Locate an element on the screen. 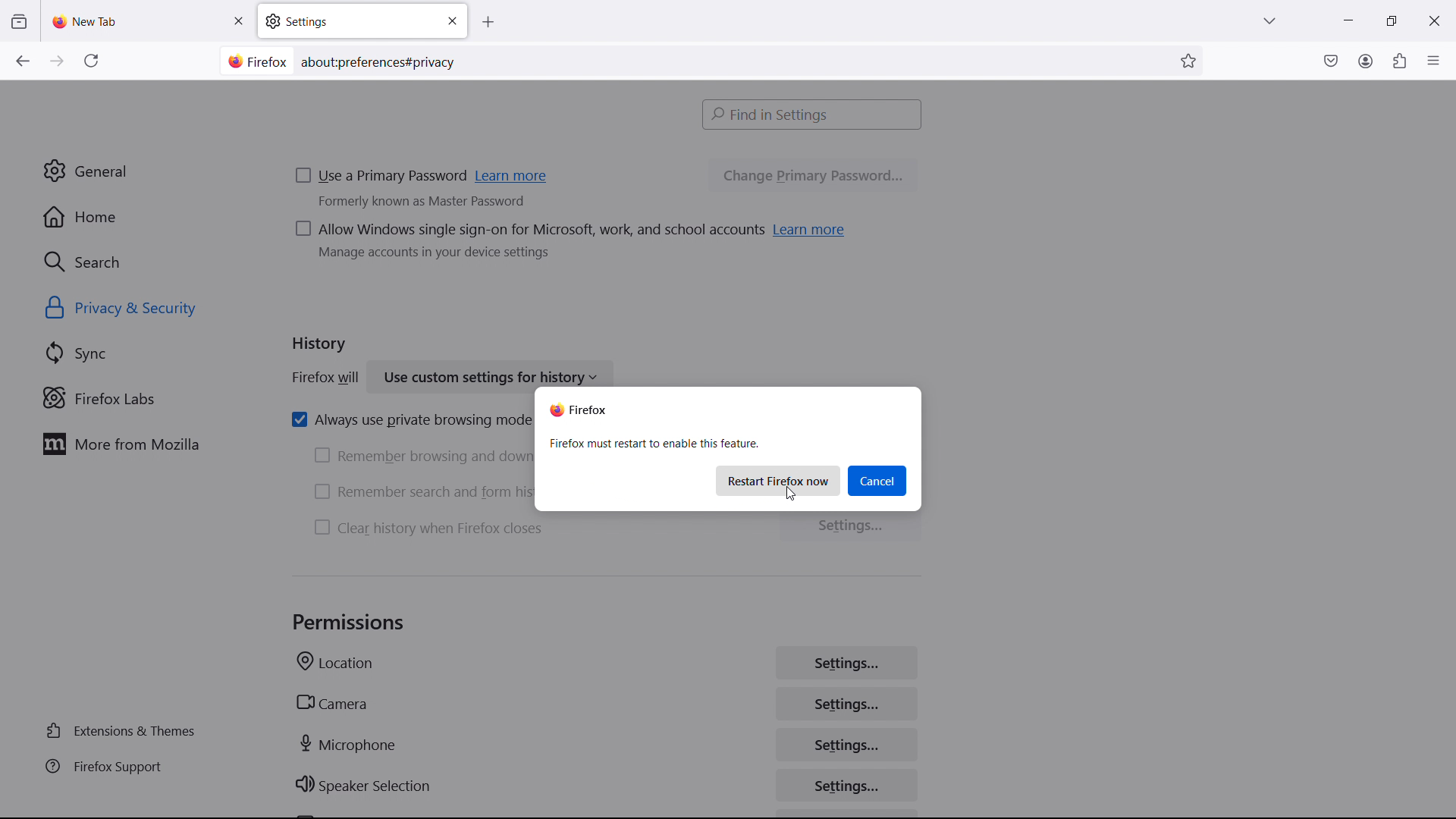 The width and height of the screenshot is (1456, 819). bookmarks is located at coordinates (1190, 60).